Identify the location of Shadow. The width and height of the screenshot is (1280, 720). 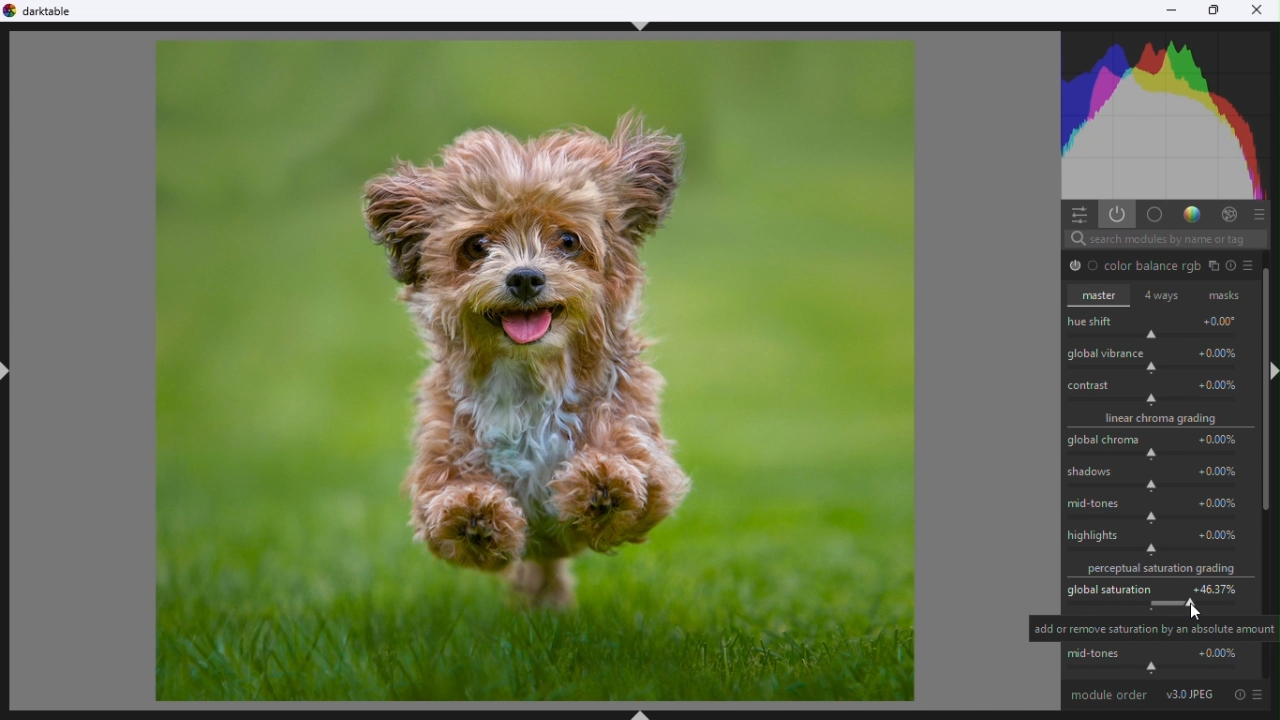
(1162, 478).